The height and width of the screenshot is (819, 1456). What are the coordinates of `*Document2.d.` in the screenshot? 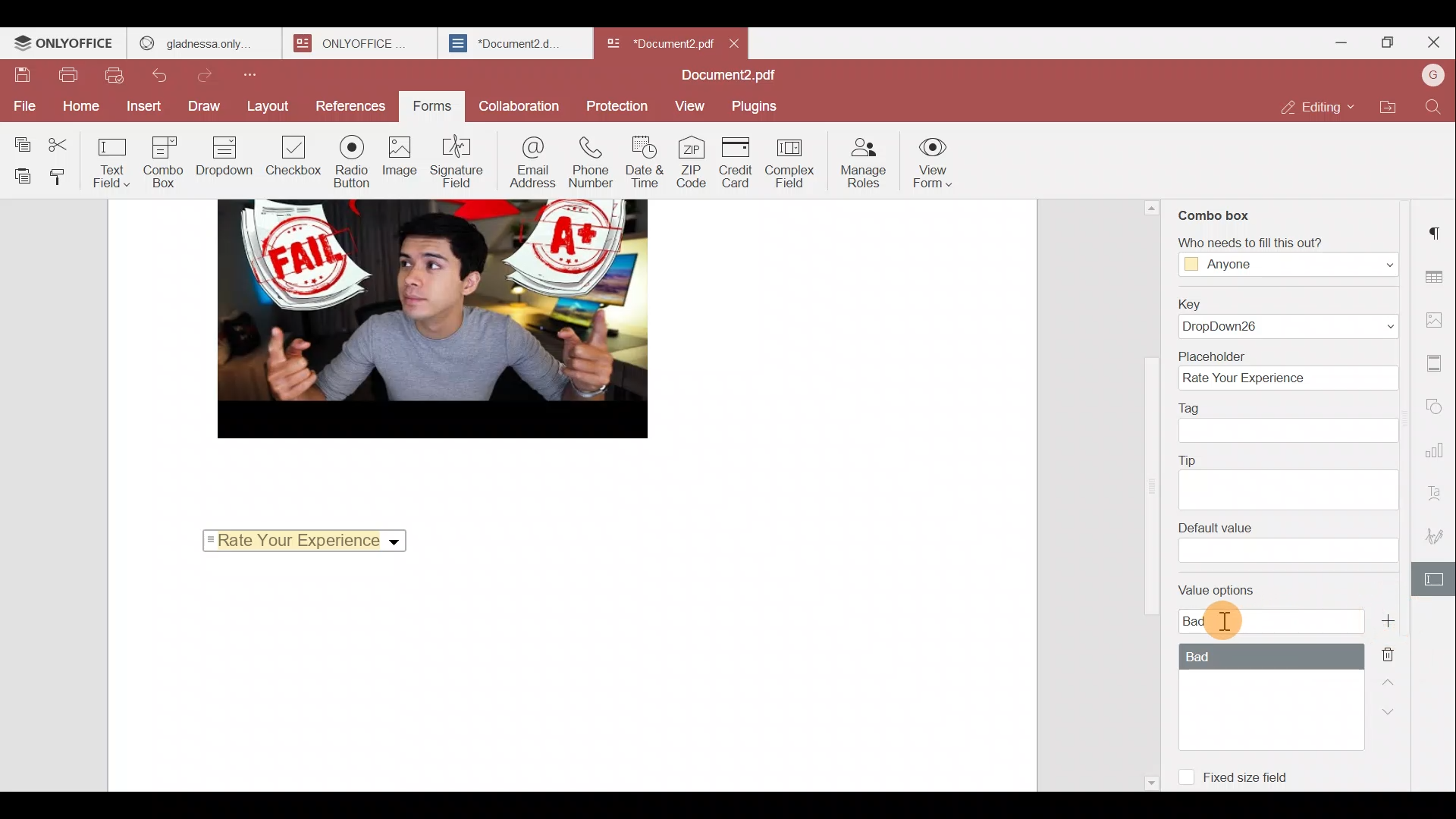 It's located at (505, 41).